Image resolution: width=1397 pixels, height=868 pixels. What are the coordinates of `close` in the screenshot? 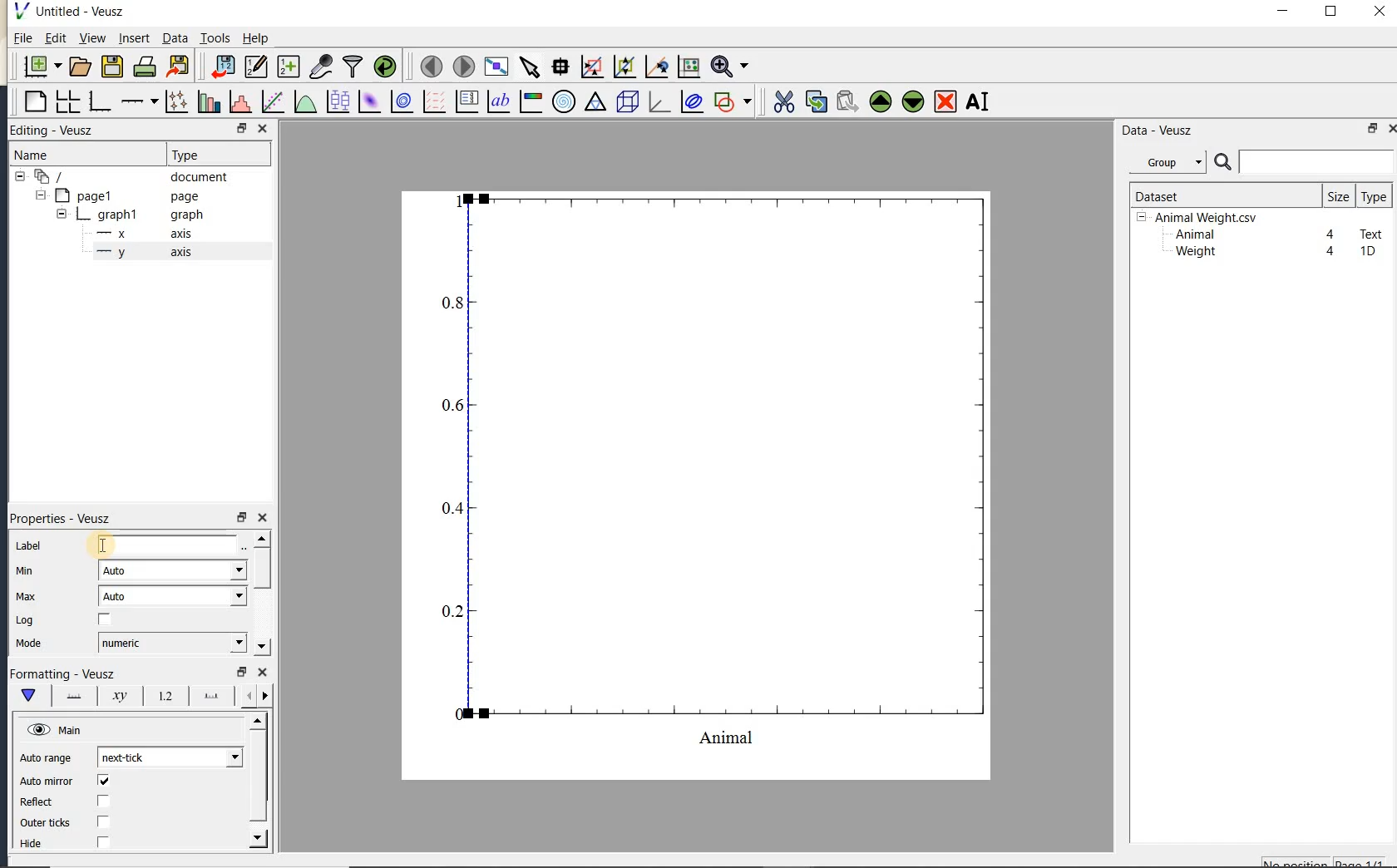 It's located at (1380, 12).